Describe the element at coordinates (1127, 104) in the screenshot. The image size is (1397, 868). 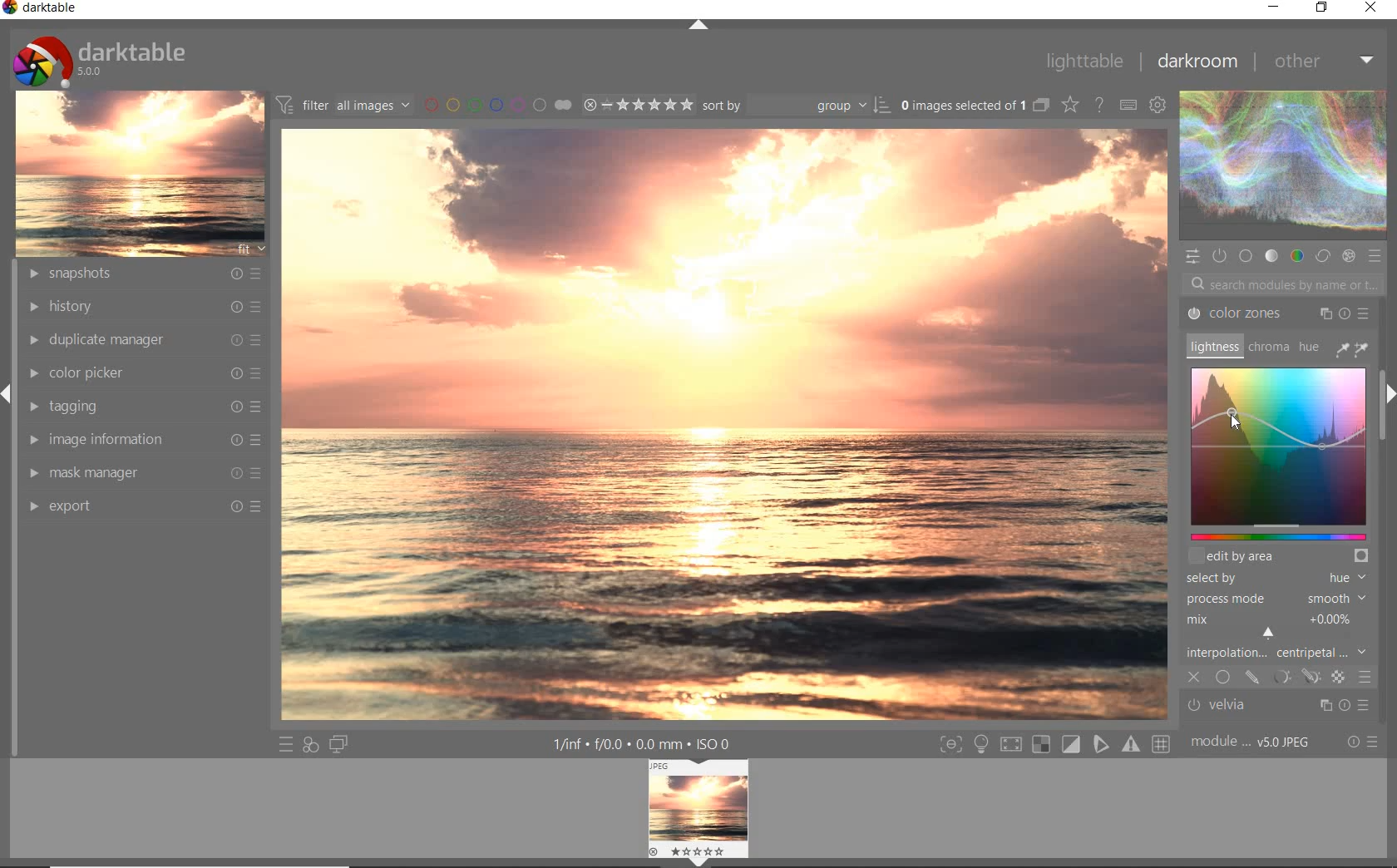
I see `define keyboard shortcut` at that location.